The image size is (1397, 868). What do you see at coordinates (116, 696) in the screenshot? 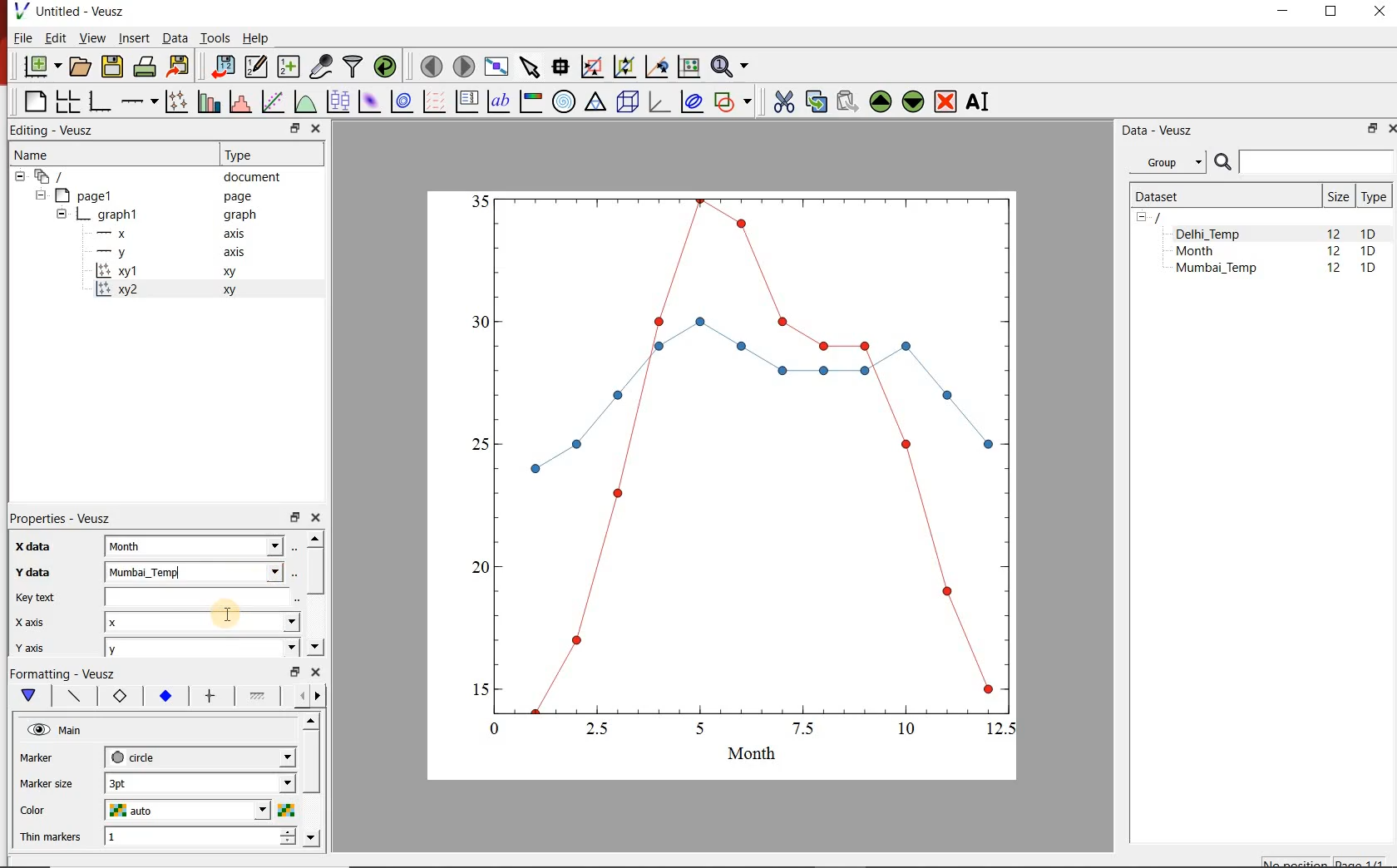
I see `Axis label` at bounding box center [116, 696].